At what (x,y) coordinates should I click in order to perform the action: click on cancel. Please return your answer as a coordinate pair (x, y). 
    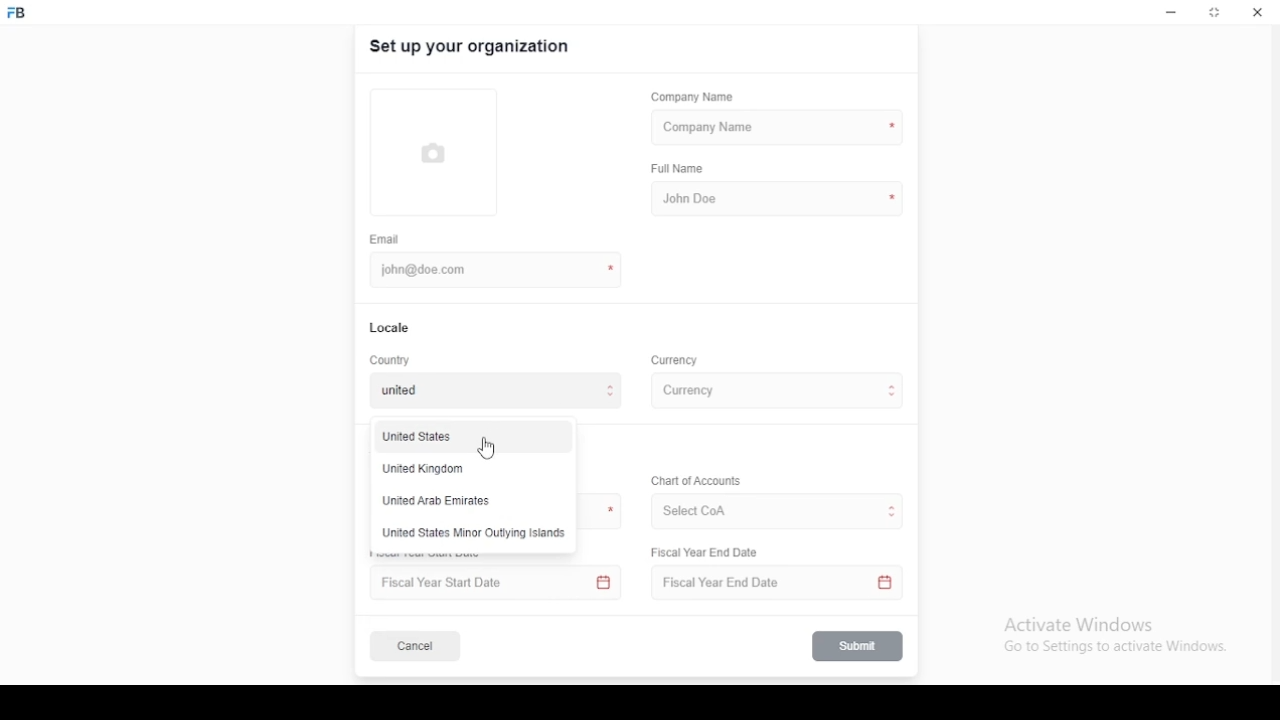
    Looking at the image, I should click on (415, 647).